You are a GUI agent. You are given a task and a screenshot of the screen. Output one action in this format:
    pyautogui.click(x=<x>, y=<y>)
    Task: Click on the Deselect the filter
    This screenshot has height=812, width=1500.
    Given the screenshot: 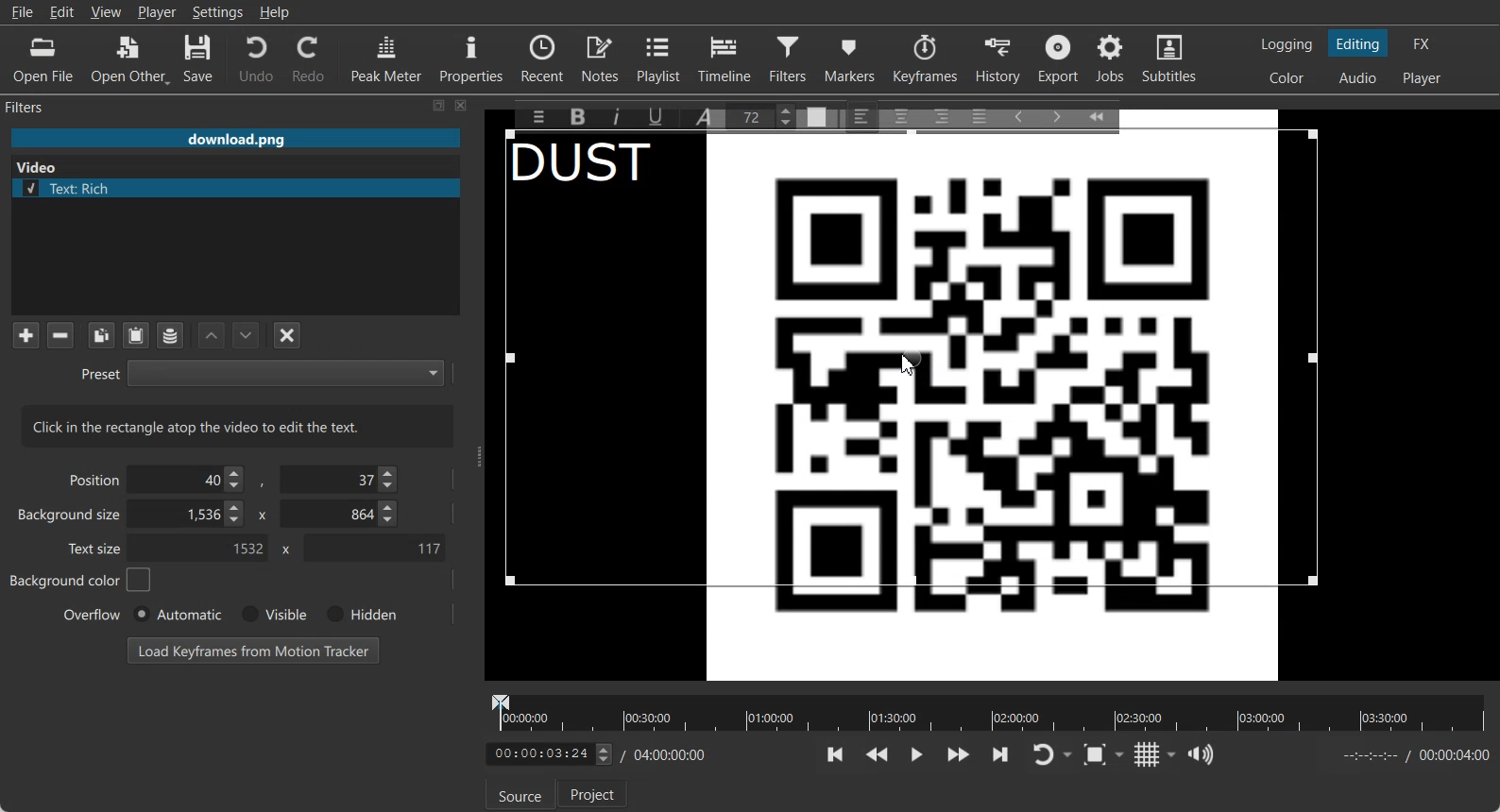 What is the action you would take?
    pyautogui.click(x=288, y=335)
    